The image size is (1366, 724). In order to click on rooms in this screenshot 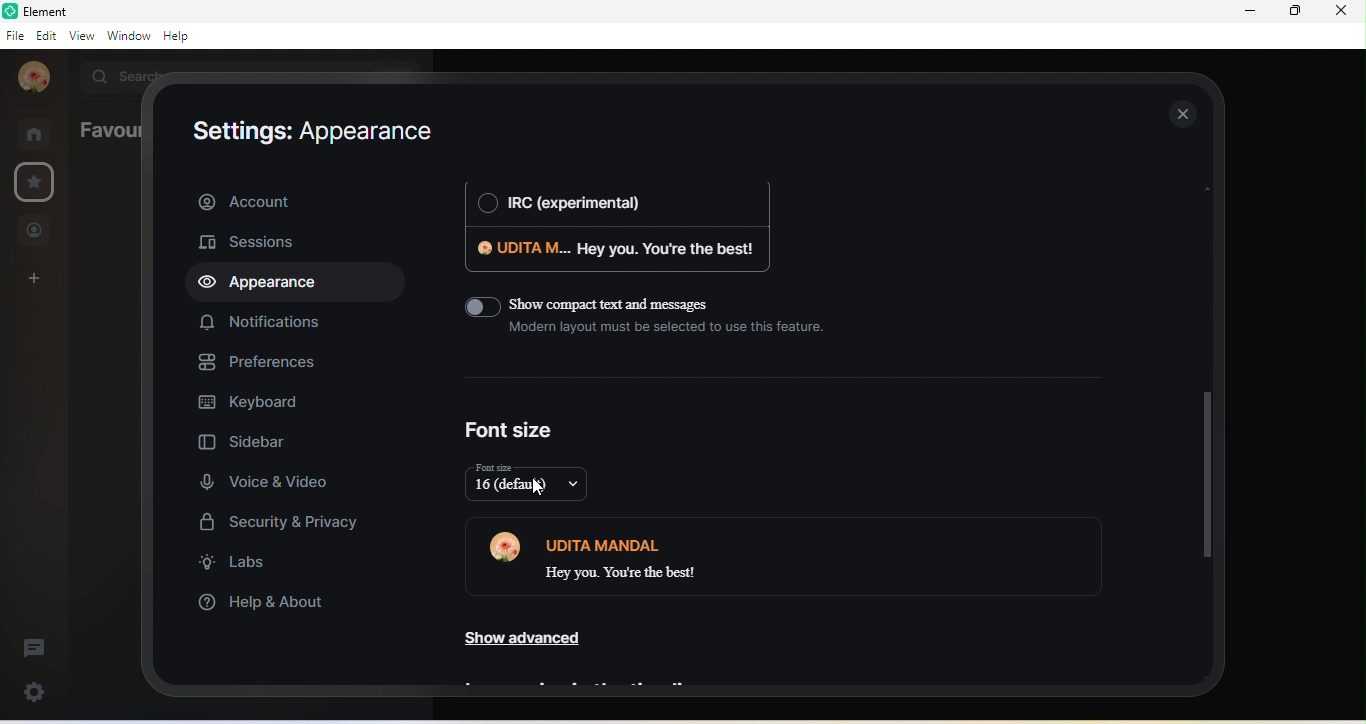, I will do `click(36, 132)`.